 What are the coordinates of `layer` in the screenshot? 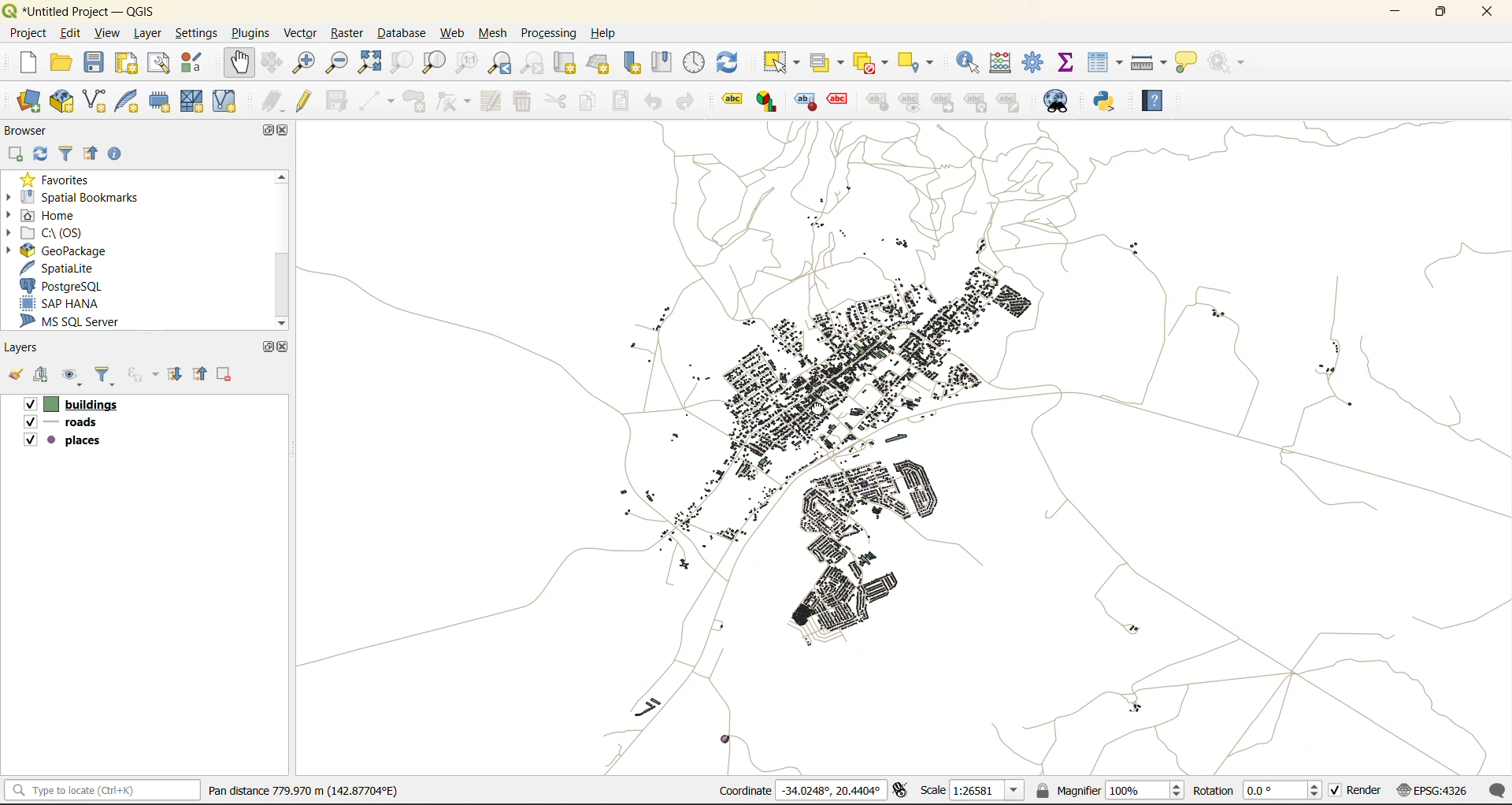 It's located at (147, 35).